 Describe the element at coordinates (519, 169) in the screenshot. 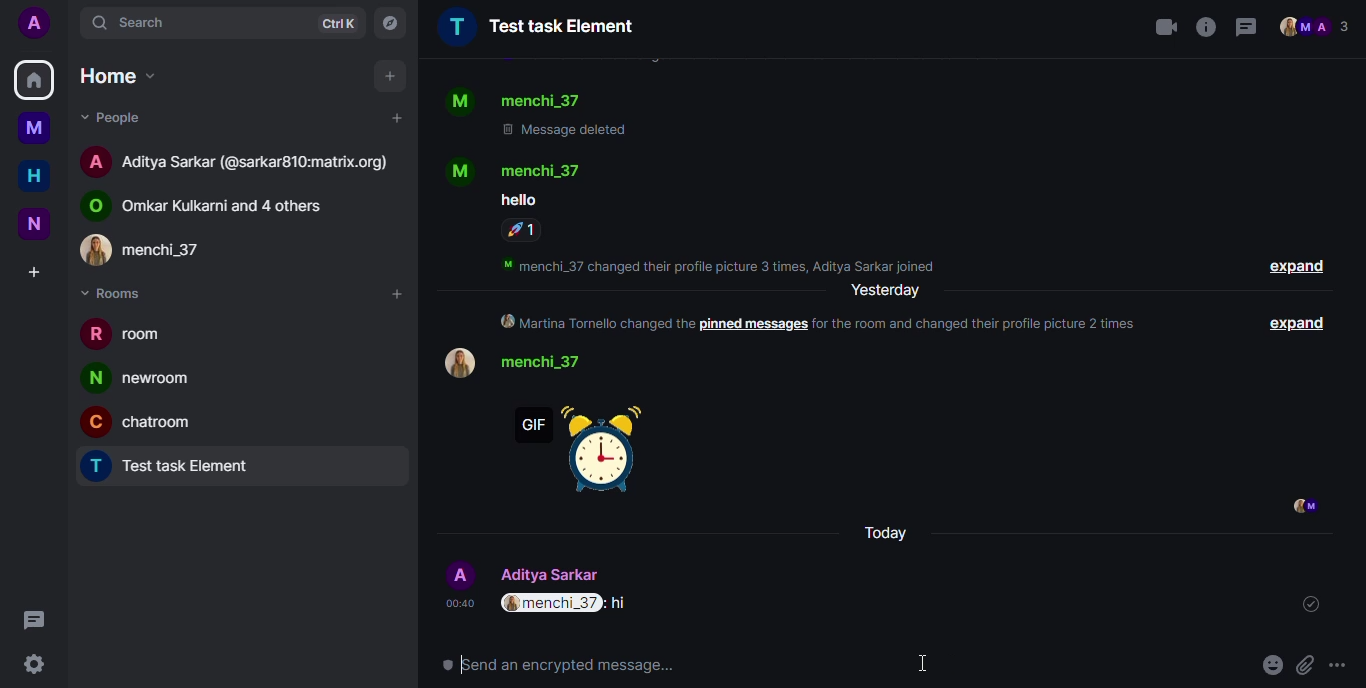

I see `contact` at that location.